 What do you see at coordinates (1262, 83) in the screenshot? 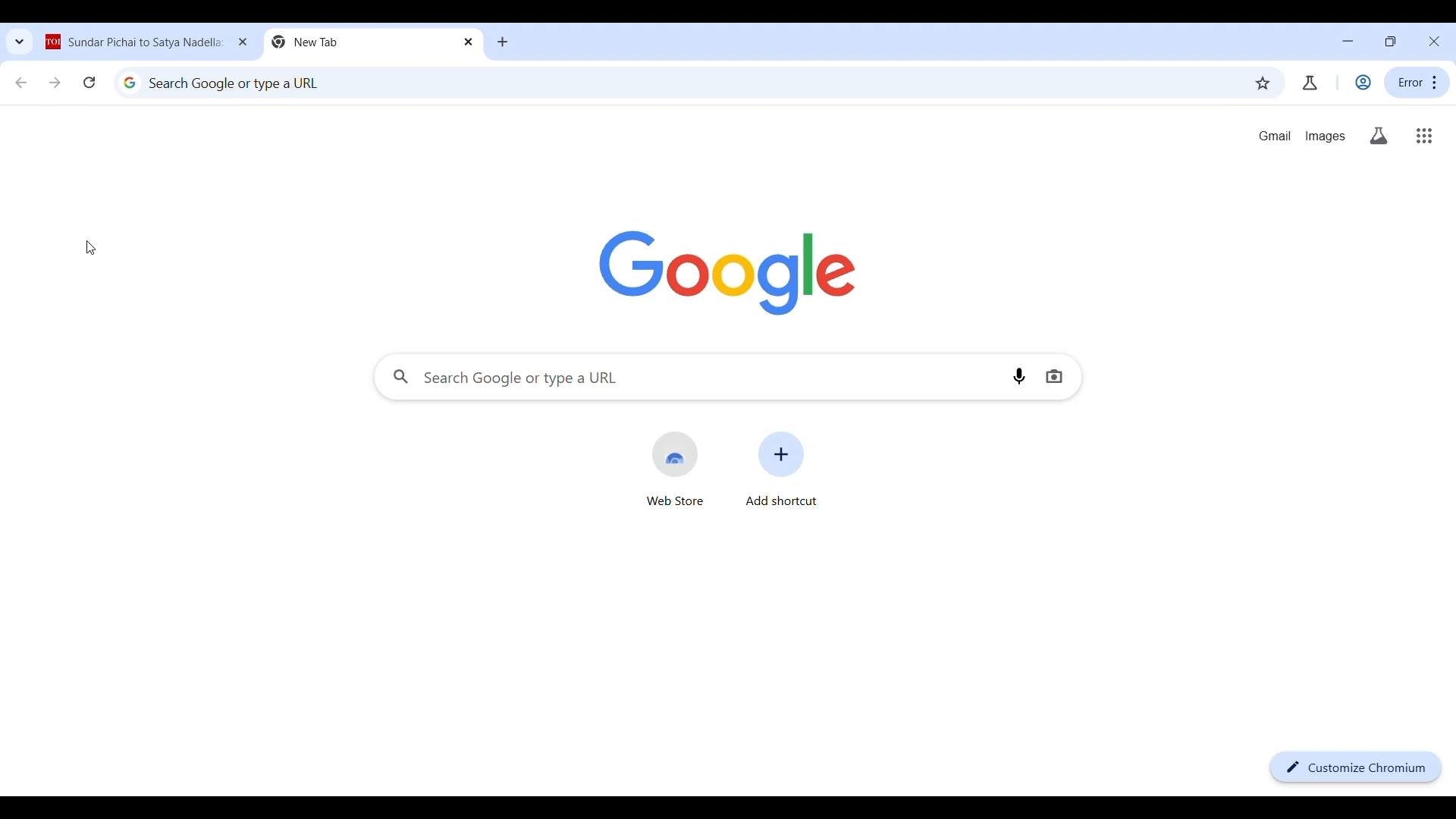
I see `Bookmark current tab` at bounding box center [1262, 83].